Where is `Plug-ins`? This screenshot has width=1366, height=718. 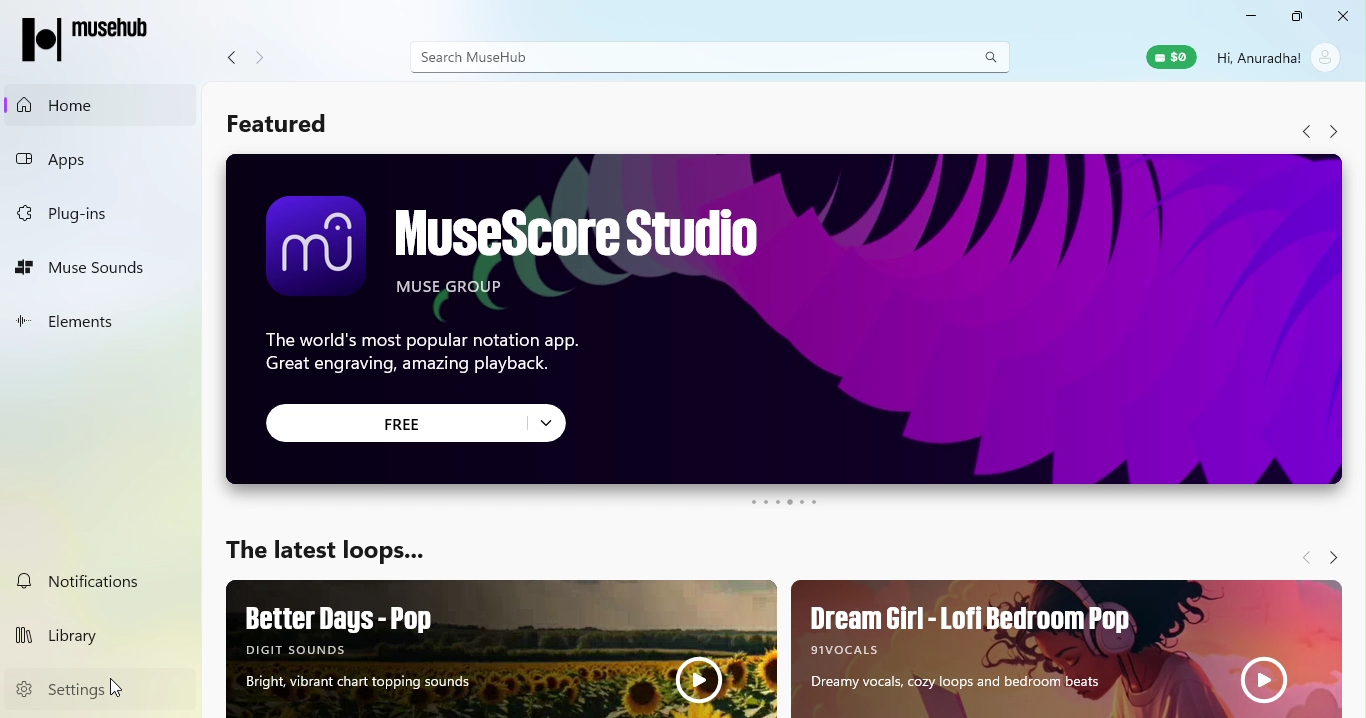
Plug-ins is located at coordinates (86, 211).